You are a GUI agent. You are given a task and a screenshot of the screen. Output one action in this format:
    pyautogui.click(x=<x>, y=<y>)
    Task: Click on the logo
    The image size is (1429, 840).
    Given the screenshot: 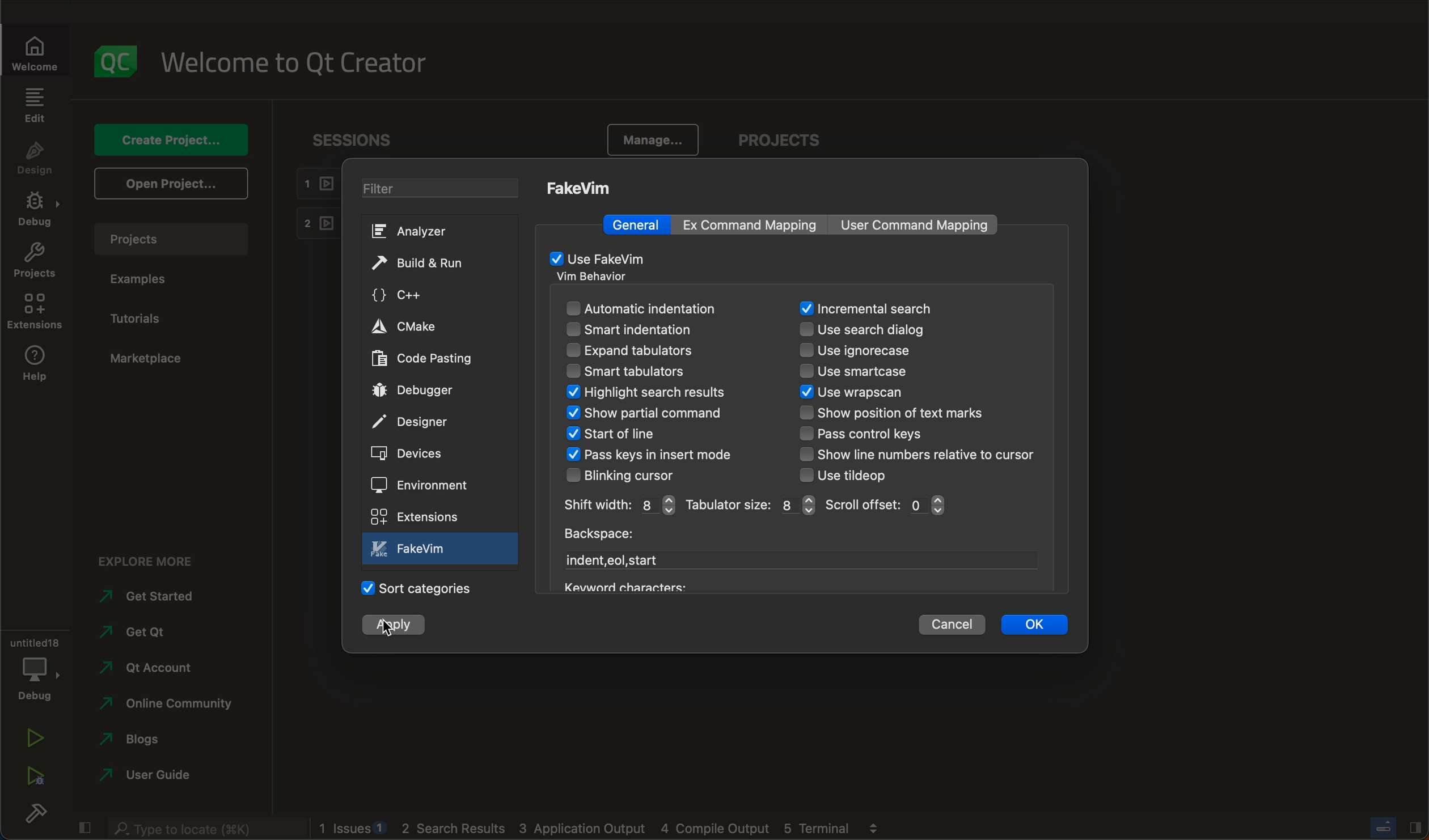 What is the action you would take?
    pyautogui.click(x=113, y=61)
    